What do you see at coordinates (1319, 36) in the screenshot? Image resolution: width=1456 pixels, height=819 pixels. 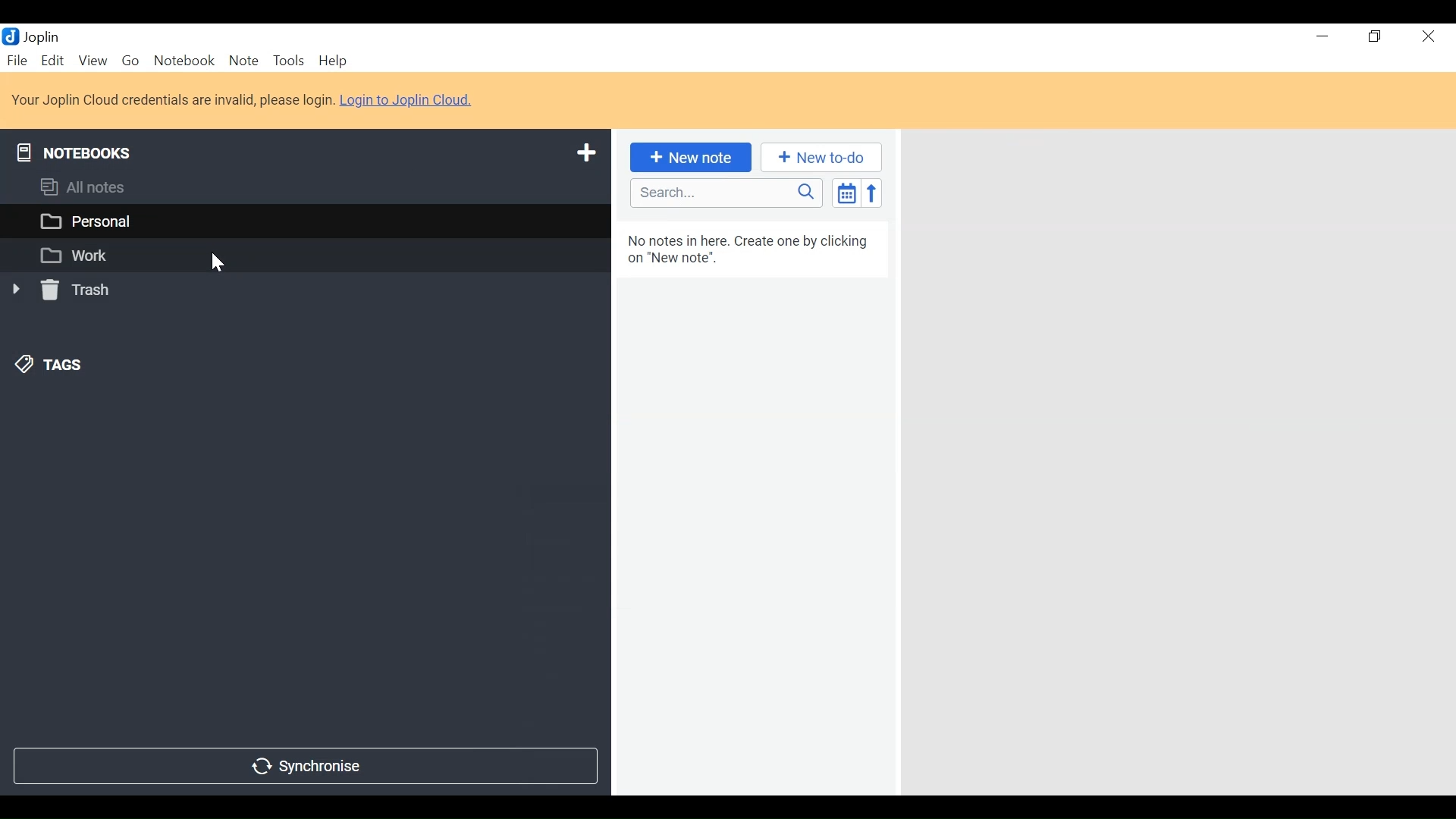 I see `minimize` at bounding box center [1319, 36].